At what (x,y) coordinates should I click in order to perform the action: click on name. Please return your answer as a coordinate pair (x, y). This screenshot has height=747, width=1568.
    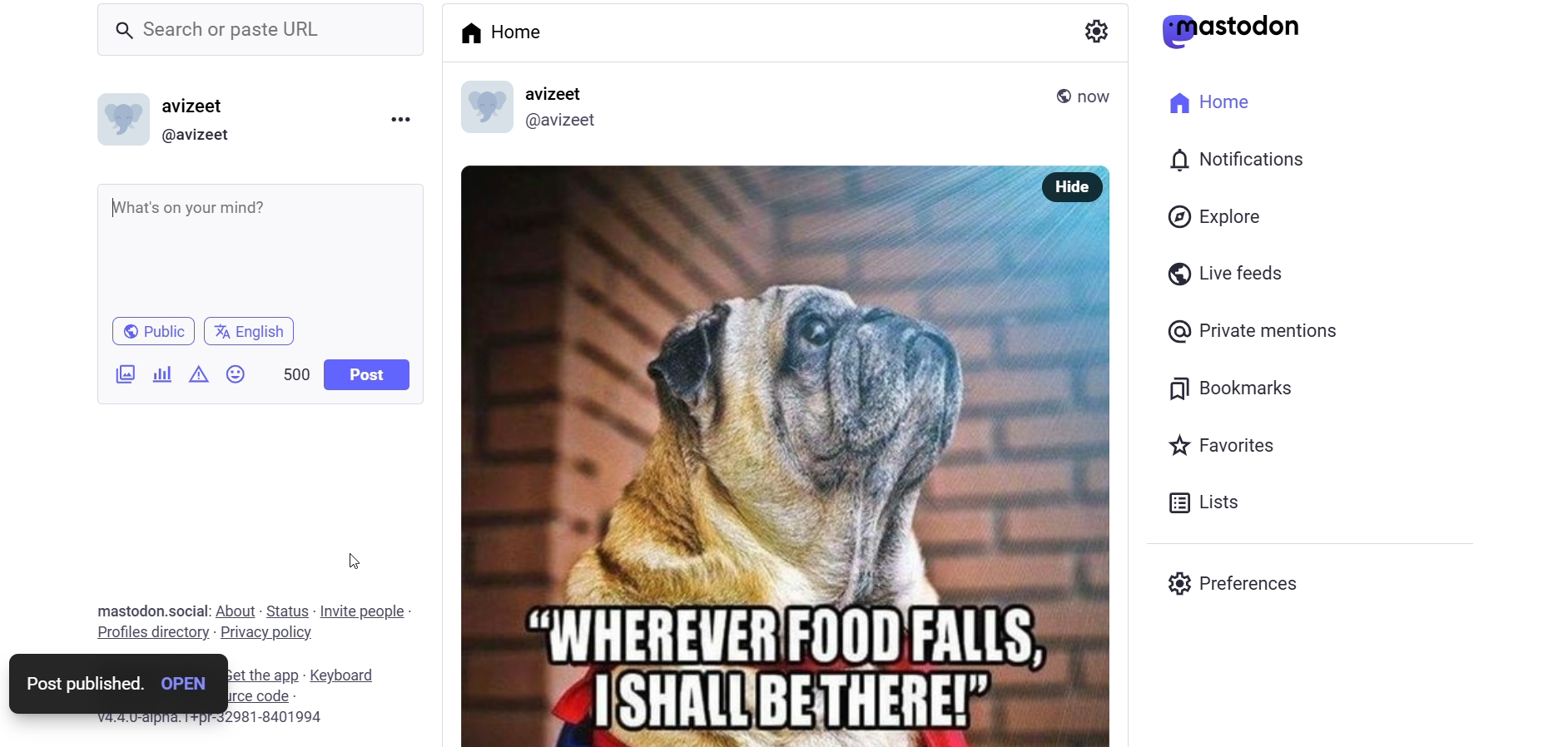
    Looking at the image, I should click on (558, 93).